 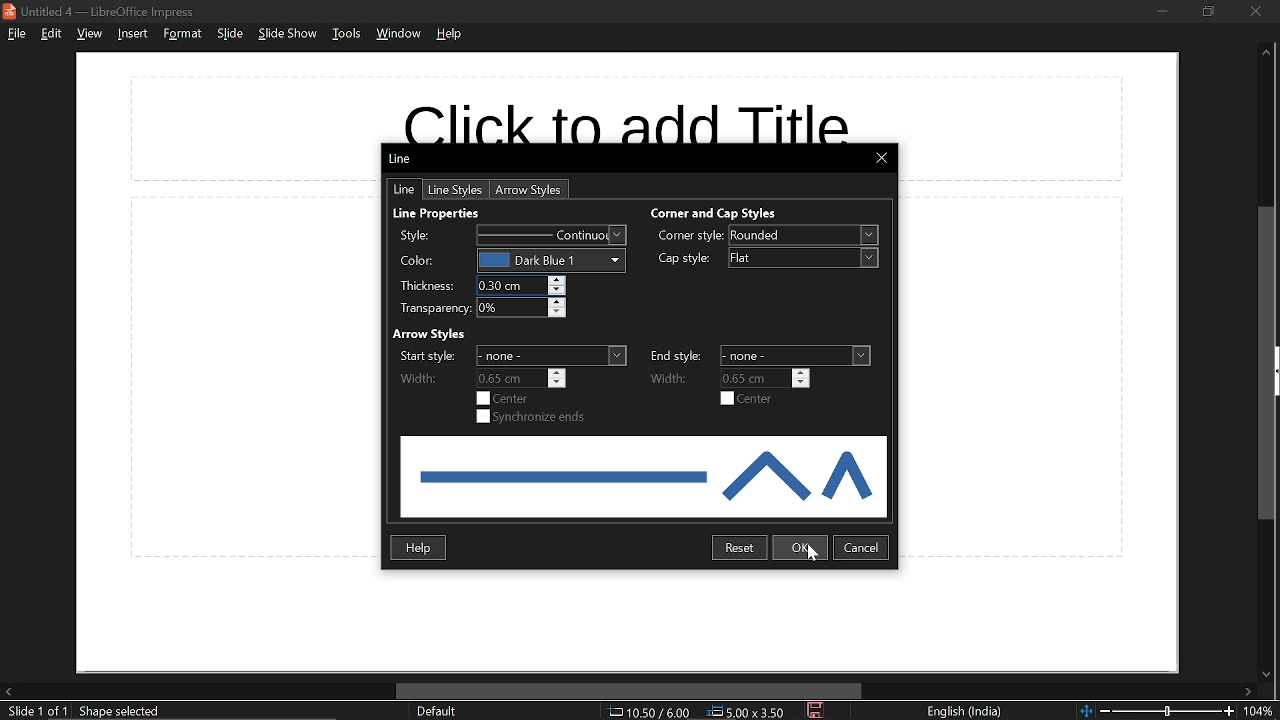 What do you see at coordinates (530, 417) in the screenshot?
I see `synchronize ends` at bounding box center [530, 417].